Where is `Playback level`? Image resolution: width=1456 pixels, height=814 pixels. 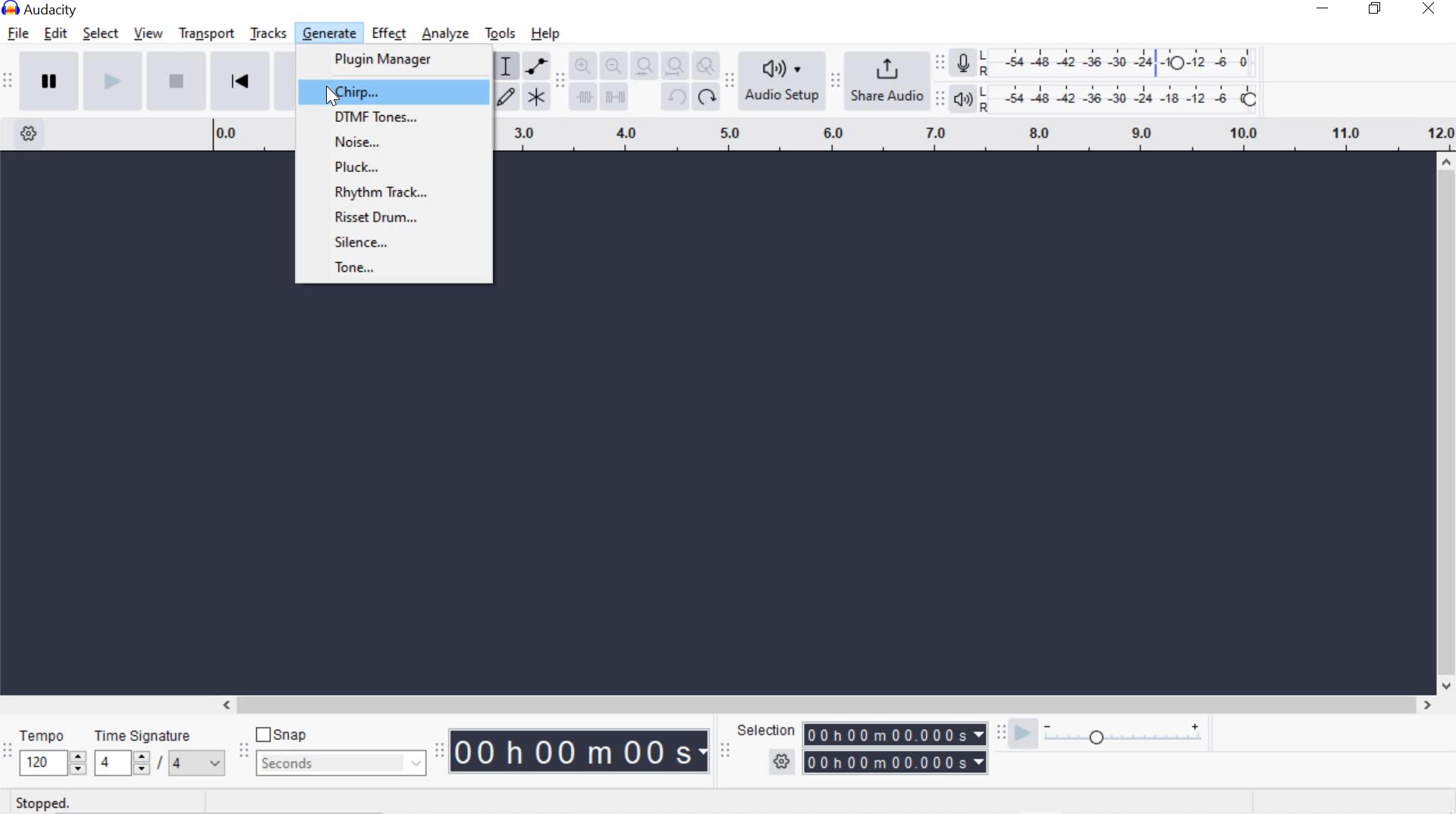
Playback level is located at coordinates (1123, 98).